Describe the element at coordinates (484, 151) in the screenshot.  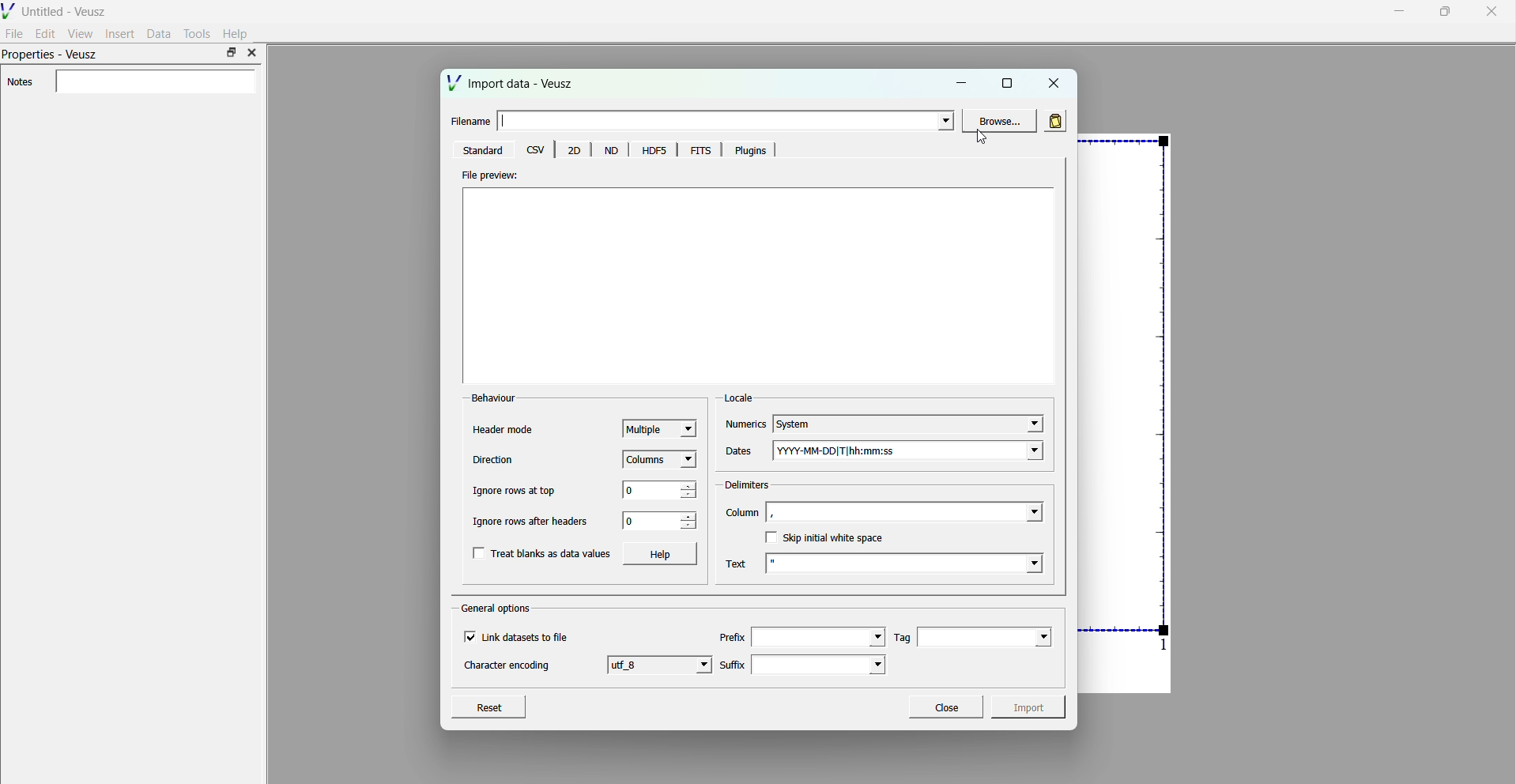
I see `‘Standard` at that location.